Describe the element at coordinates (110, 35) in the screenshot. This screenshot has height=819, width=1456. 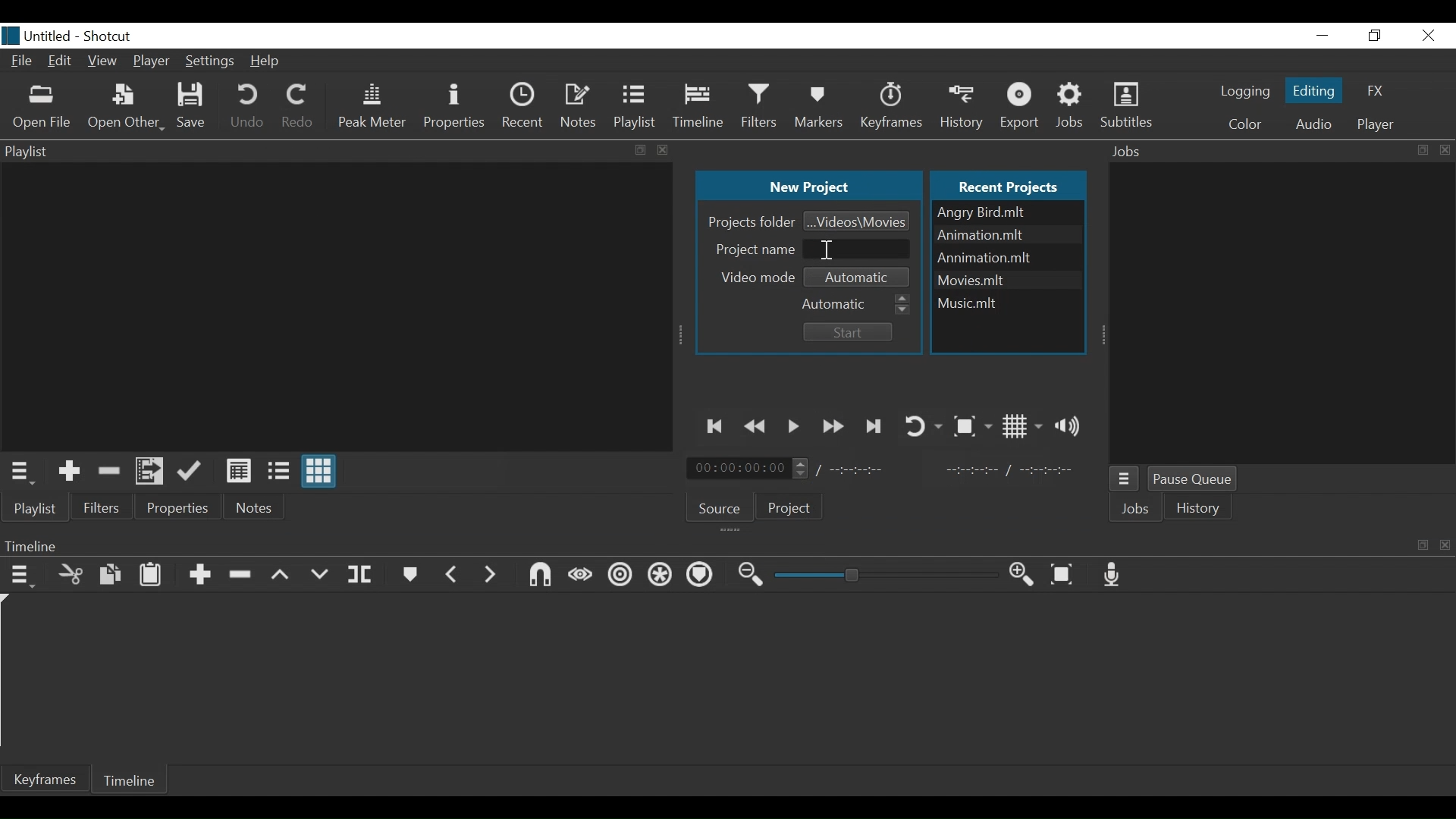
I see `Shotcut` at that location.